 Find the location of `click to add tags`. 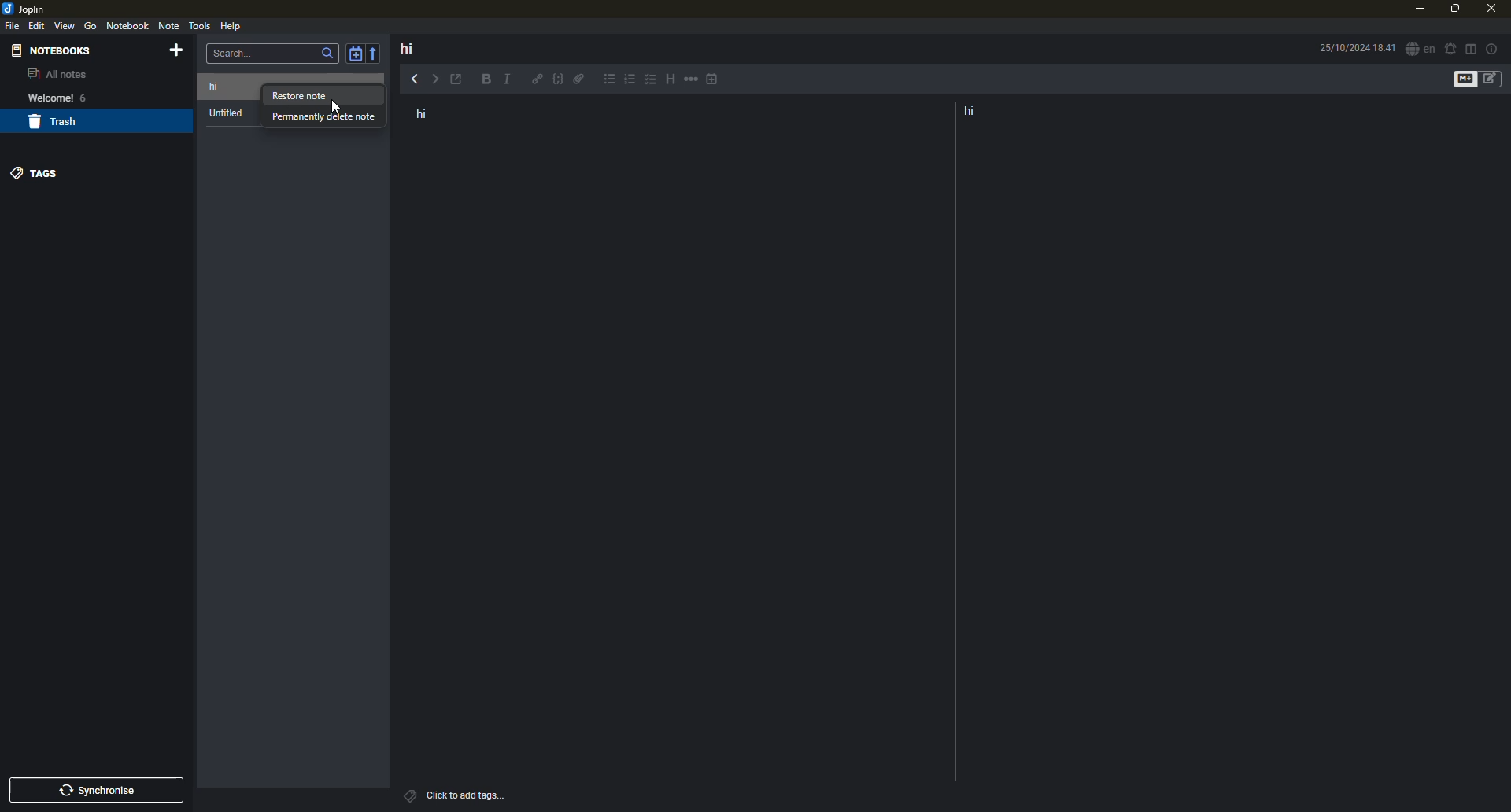

click to add tags is located at coordinates (478, 793).